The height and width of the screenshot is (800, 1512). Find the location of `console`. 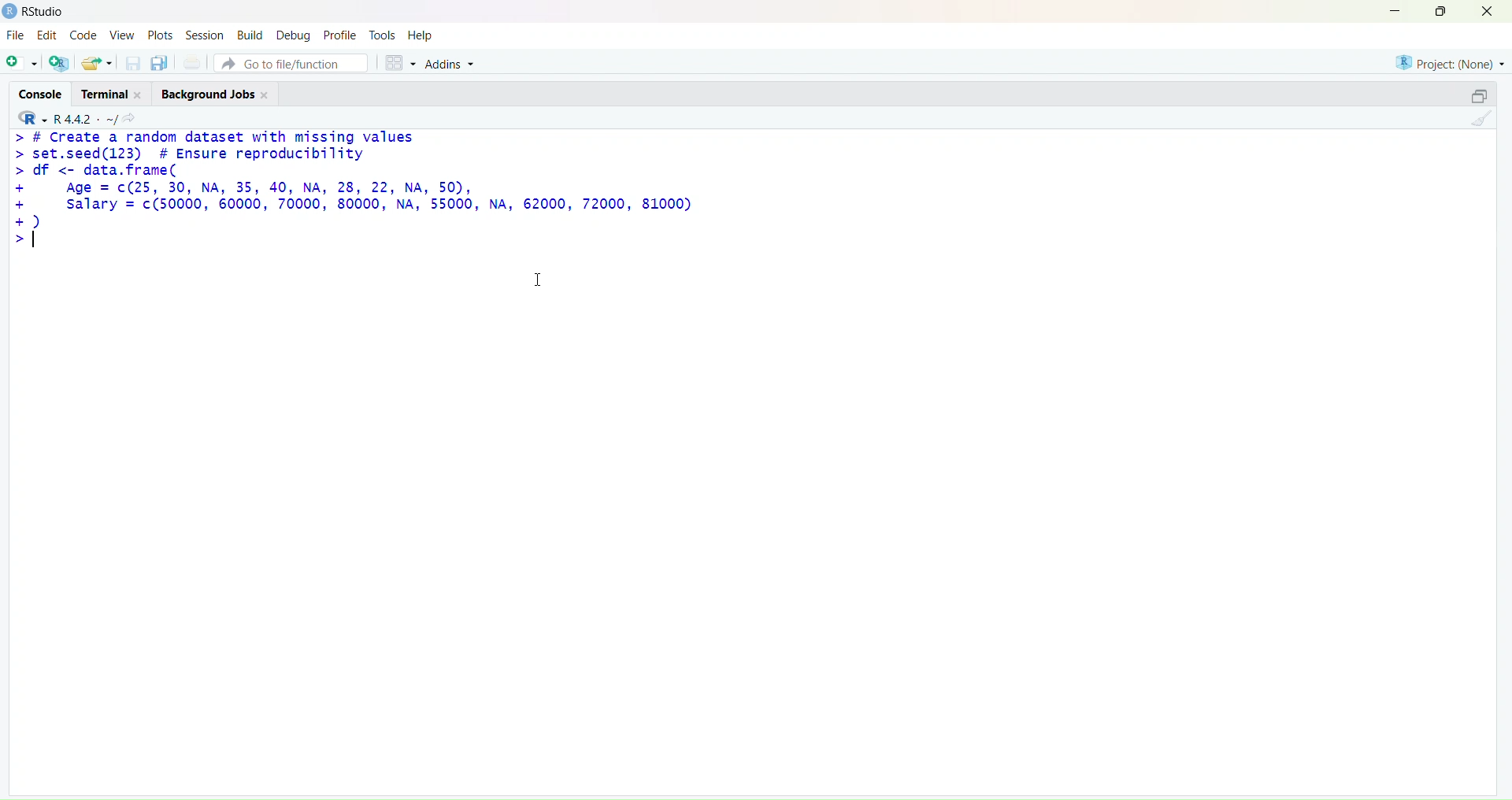

console is located at coordinates (41, 93).